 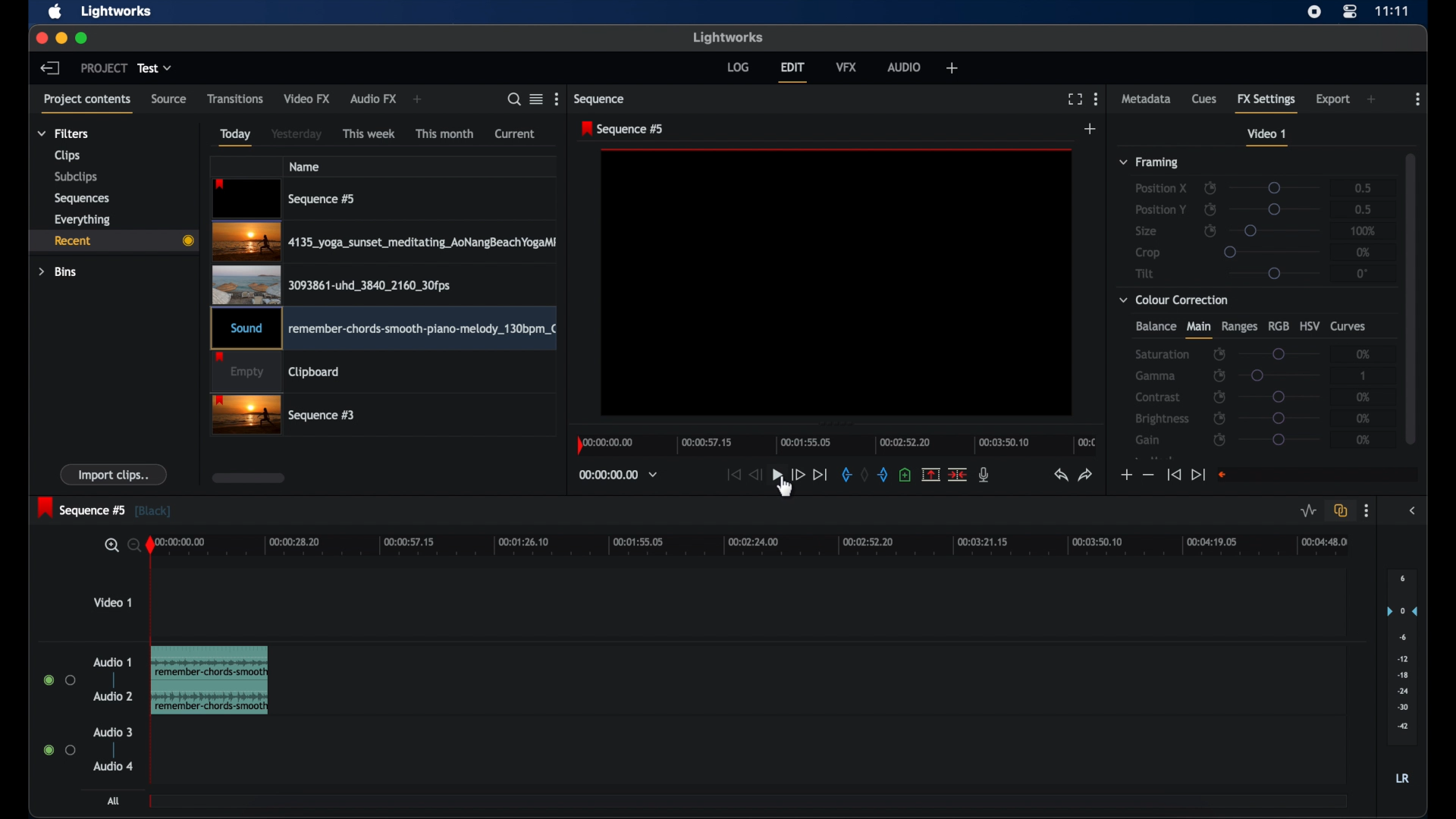 What do you see at coordinates (112, 601) in the screenshot?
I see `video 1` at bounding box center [112, 601].